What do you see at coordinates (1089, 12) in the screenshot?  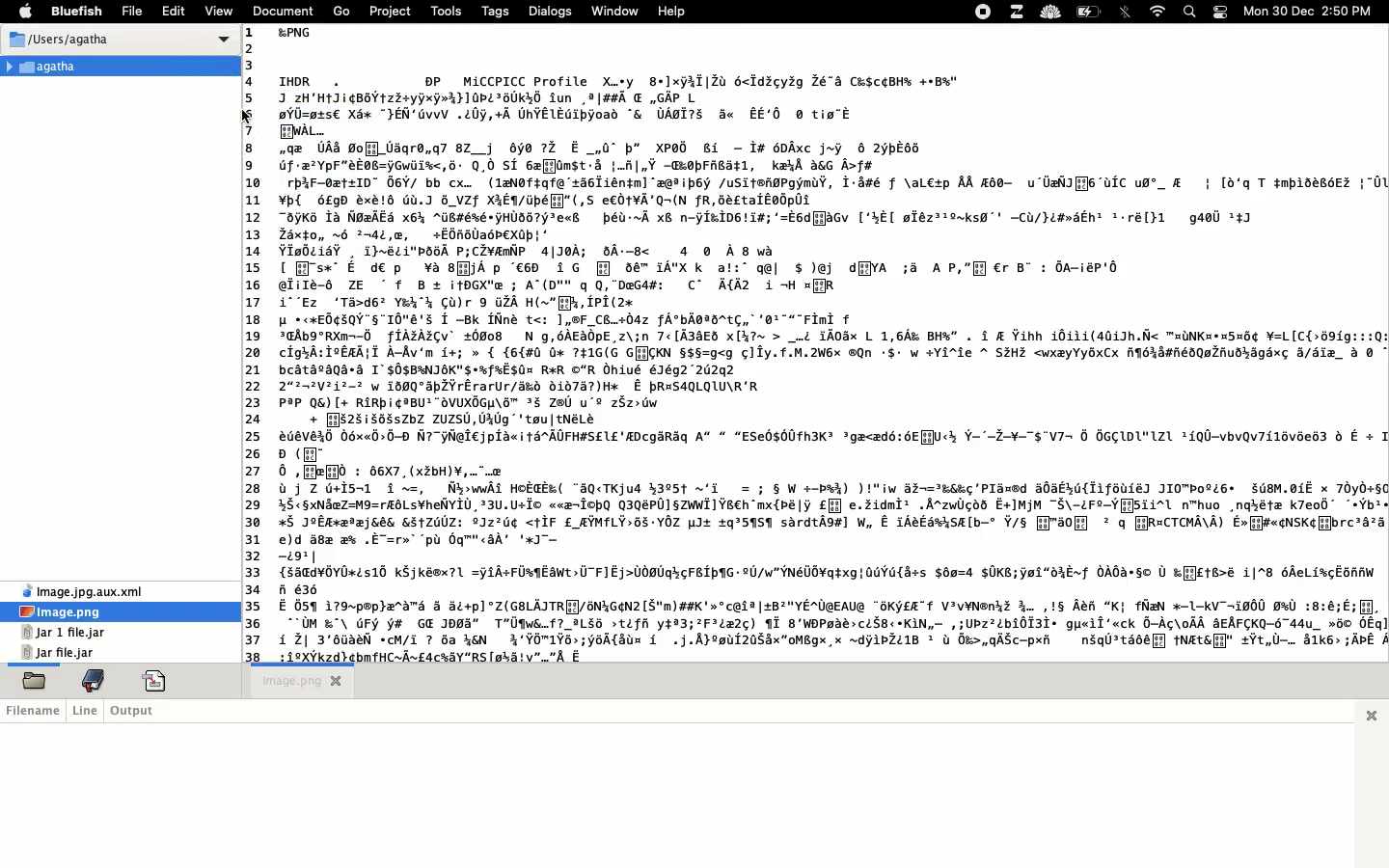 I see `charge` at bounding box center [1089, 12].